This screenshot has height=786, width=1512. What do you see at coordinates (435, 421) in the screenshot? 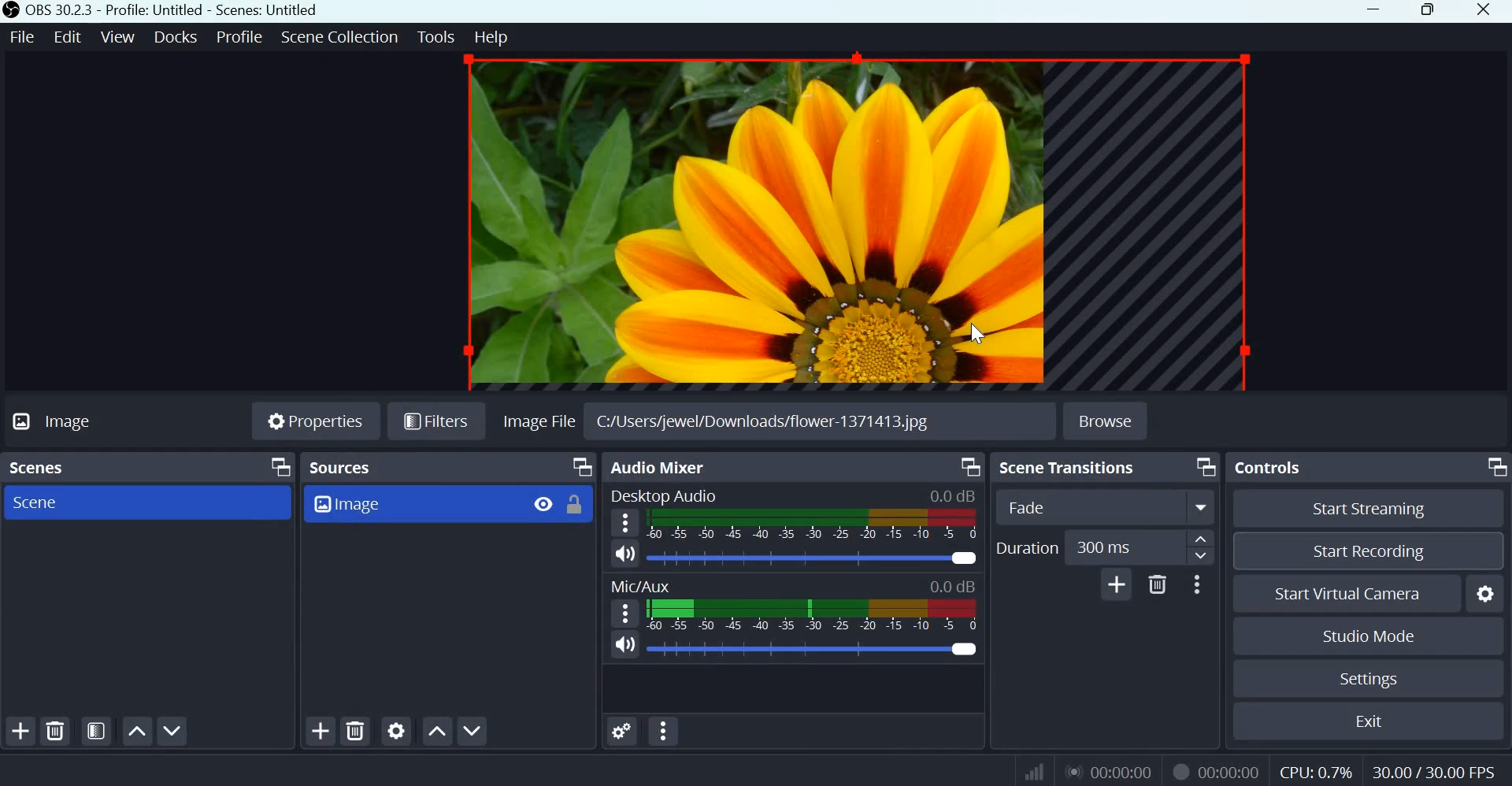
I see `Filters` at bounding box center [435, 421].